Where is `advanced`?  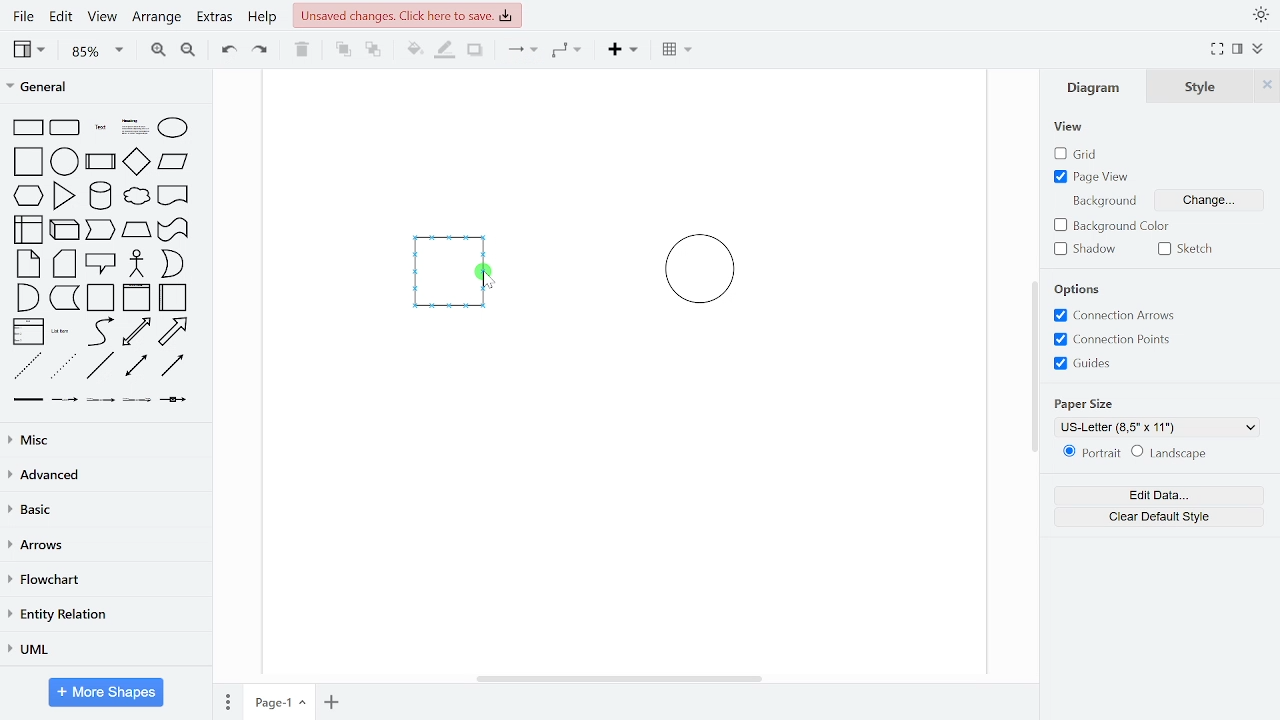
advanced is located at coordinates (102, 474).